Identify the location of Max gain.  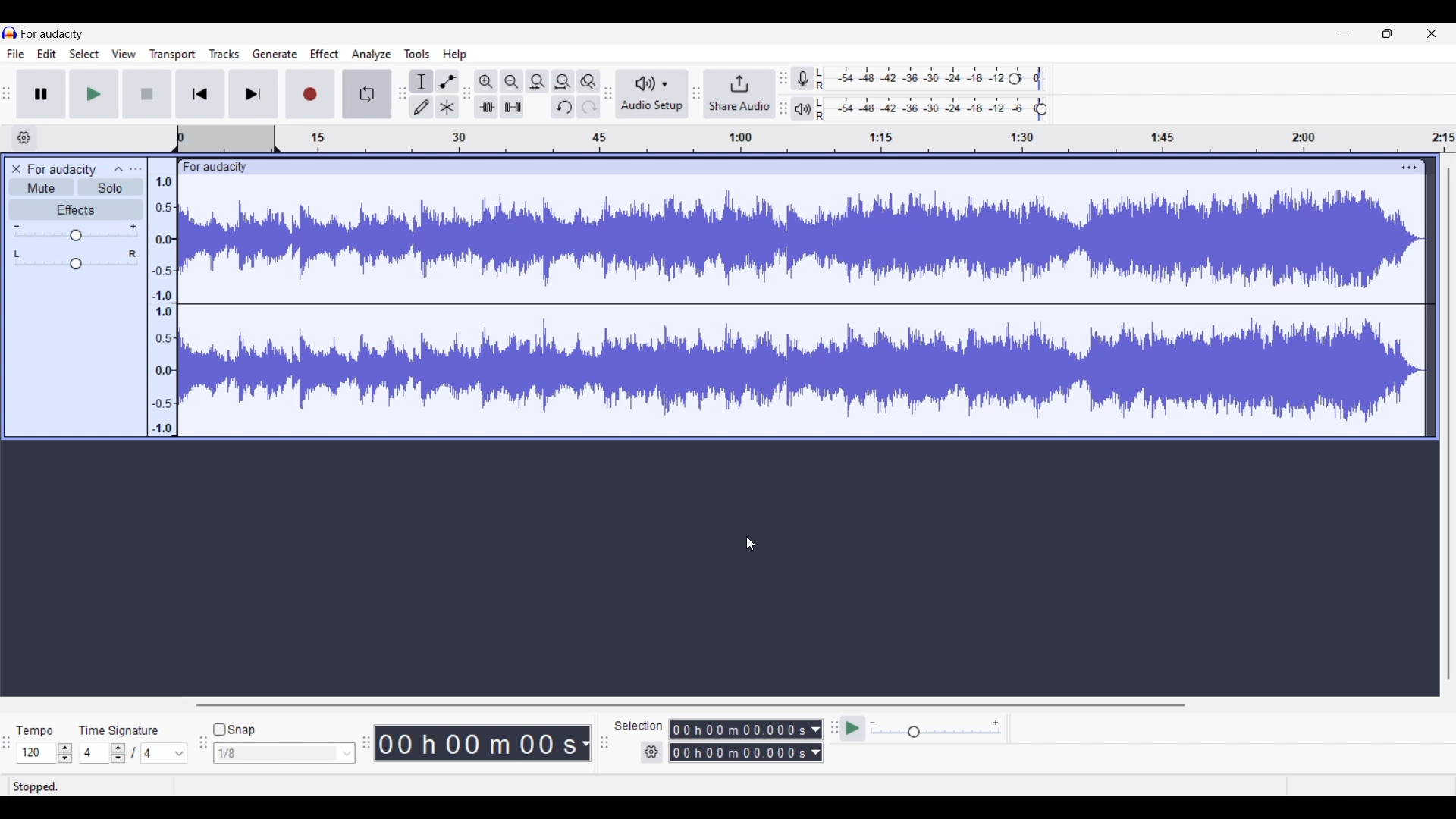
(133, 227).